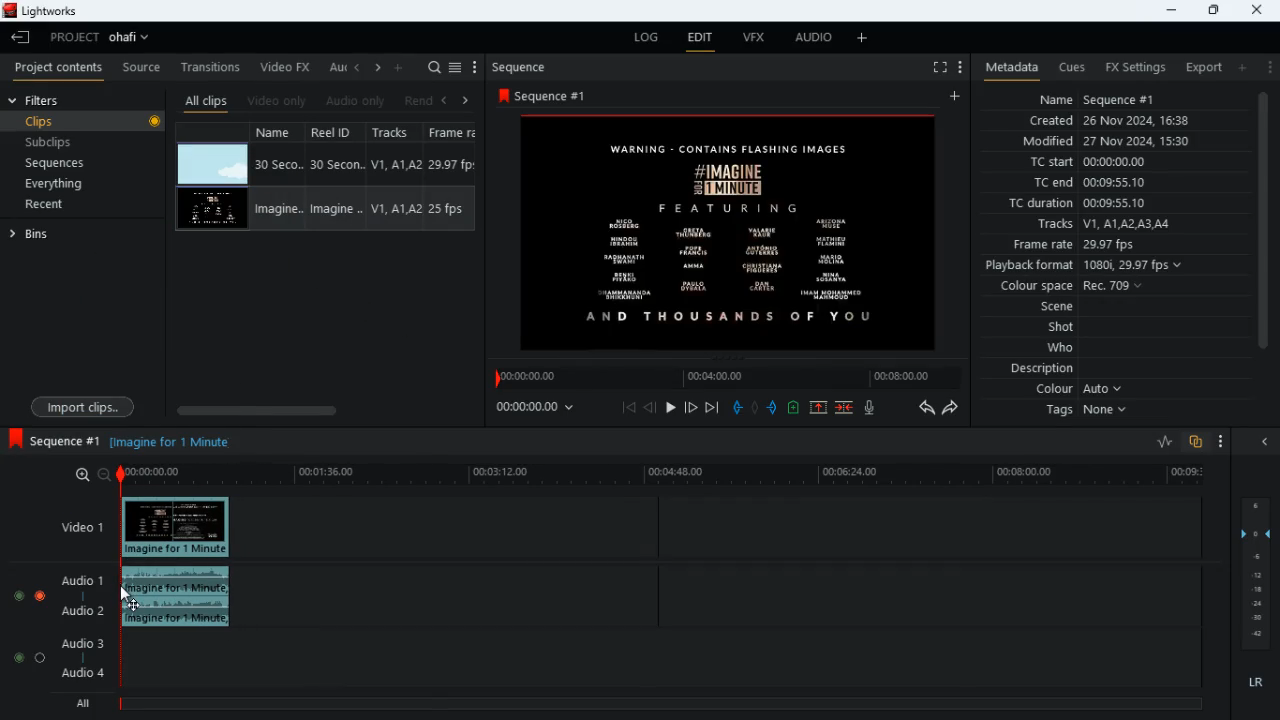 This screenshot has height=720, width=1280. Describe the element at coordinates (400, 66) in the screenshot. I see `add` at that location.